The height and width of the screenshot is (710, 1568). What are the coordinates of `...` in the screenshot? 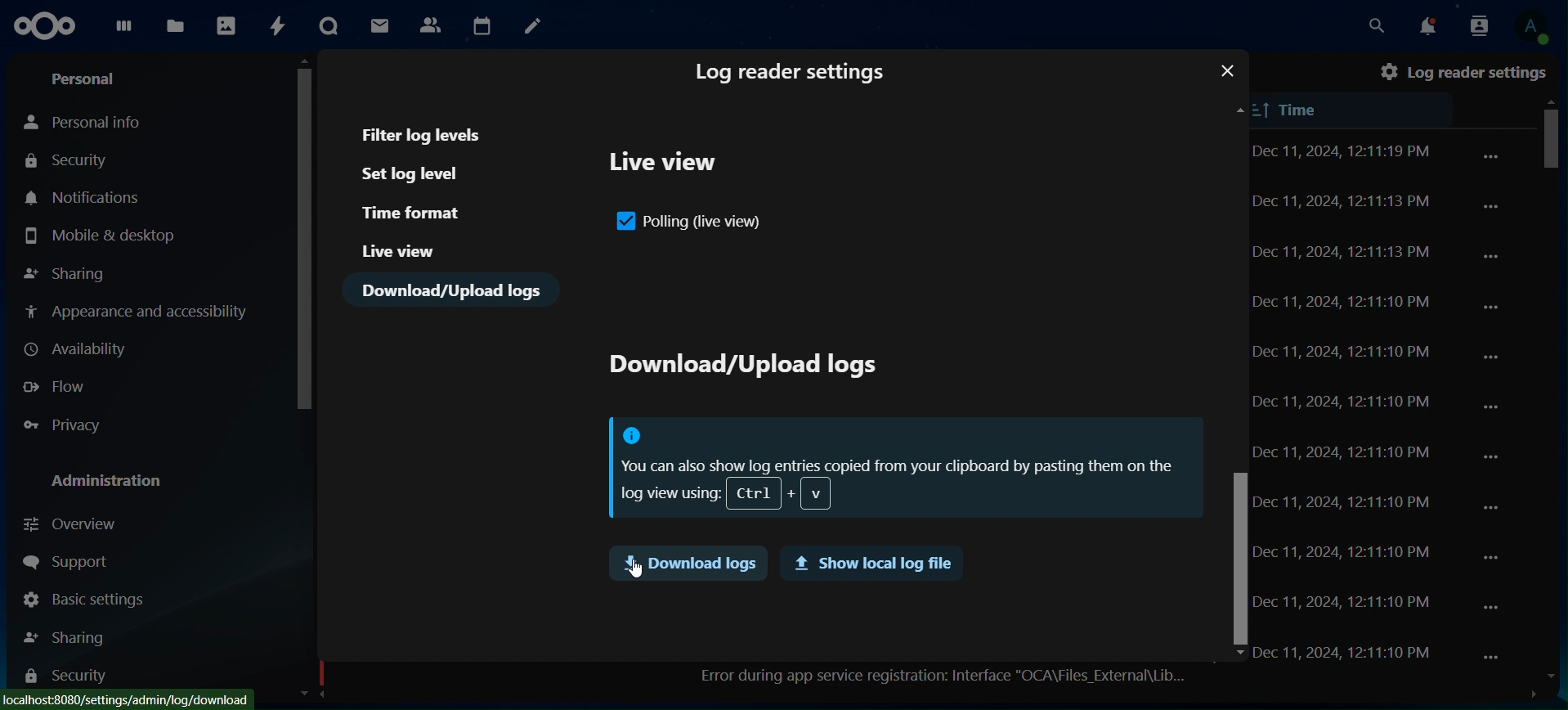 It's located at (1494, 255).